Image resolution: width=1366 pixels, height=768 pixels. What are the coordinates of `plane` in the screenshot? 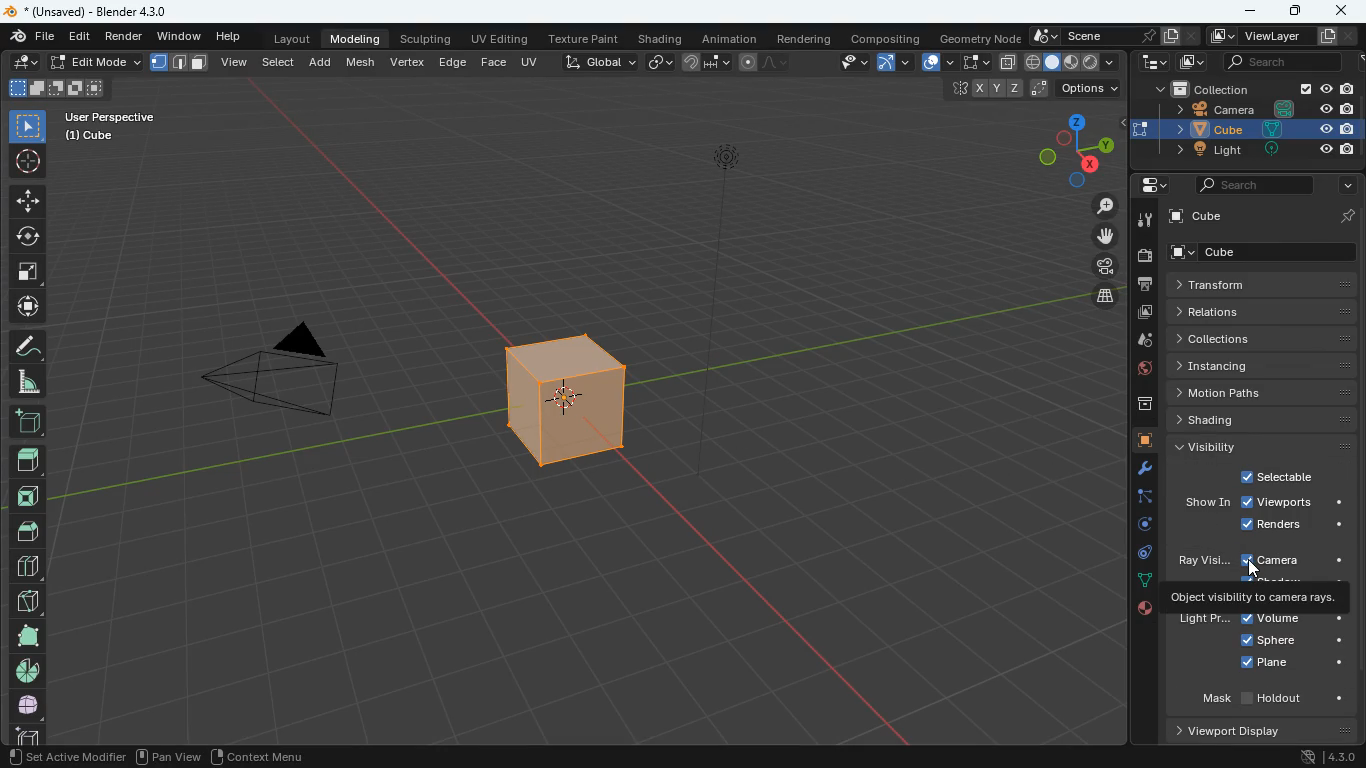 It's located at (1293, 664).